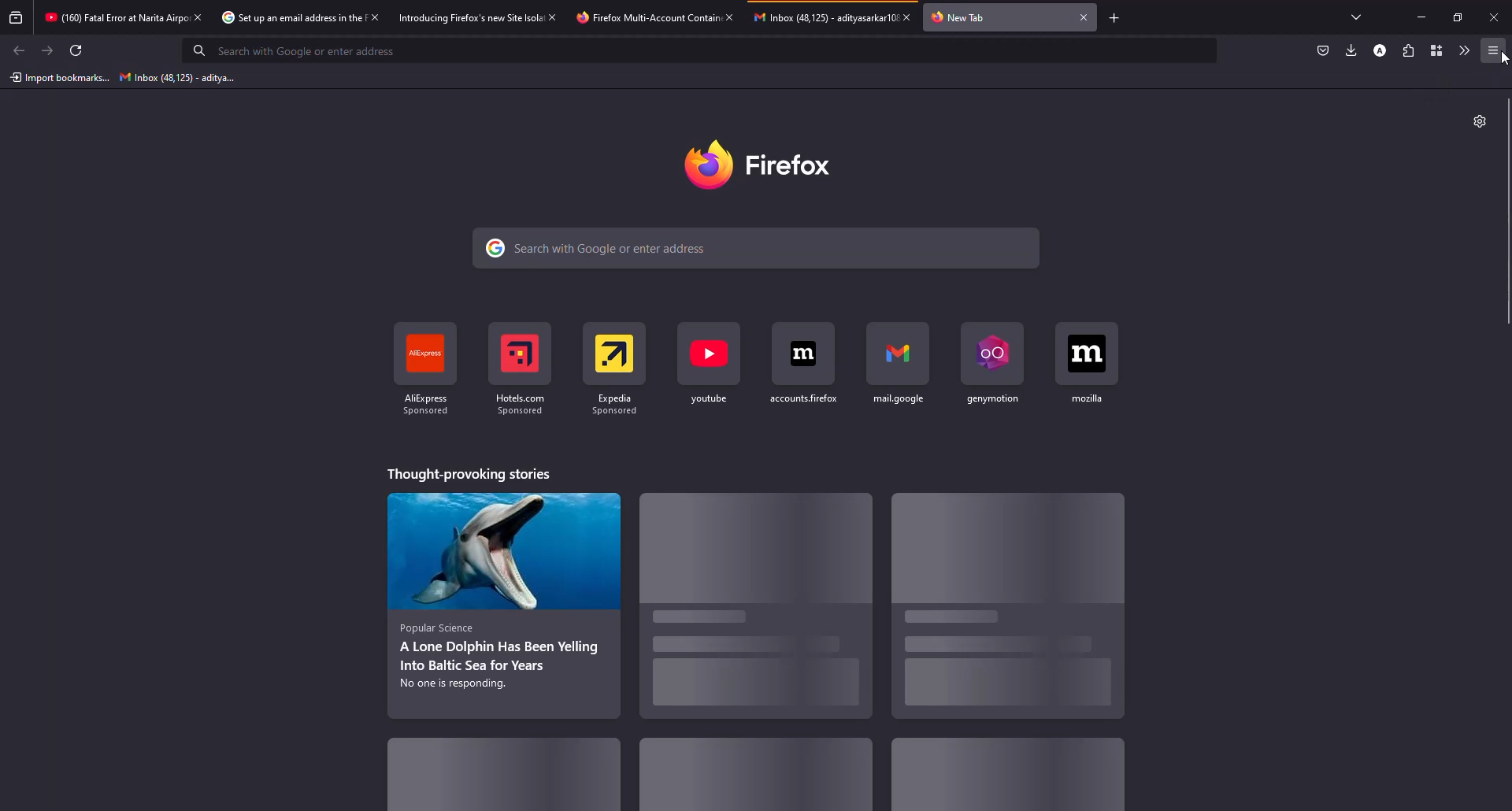 The width and height of the screenshot is (1512, 811). What do you see at coordinates (602, 250) in the screenshot?
I see `search` at bounding box center [602, 250].